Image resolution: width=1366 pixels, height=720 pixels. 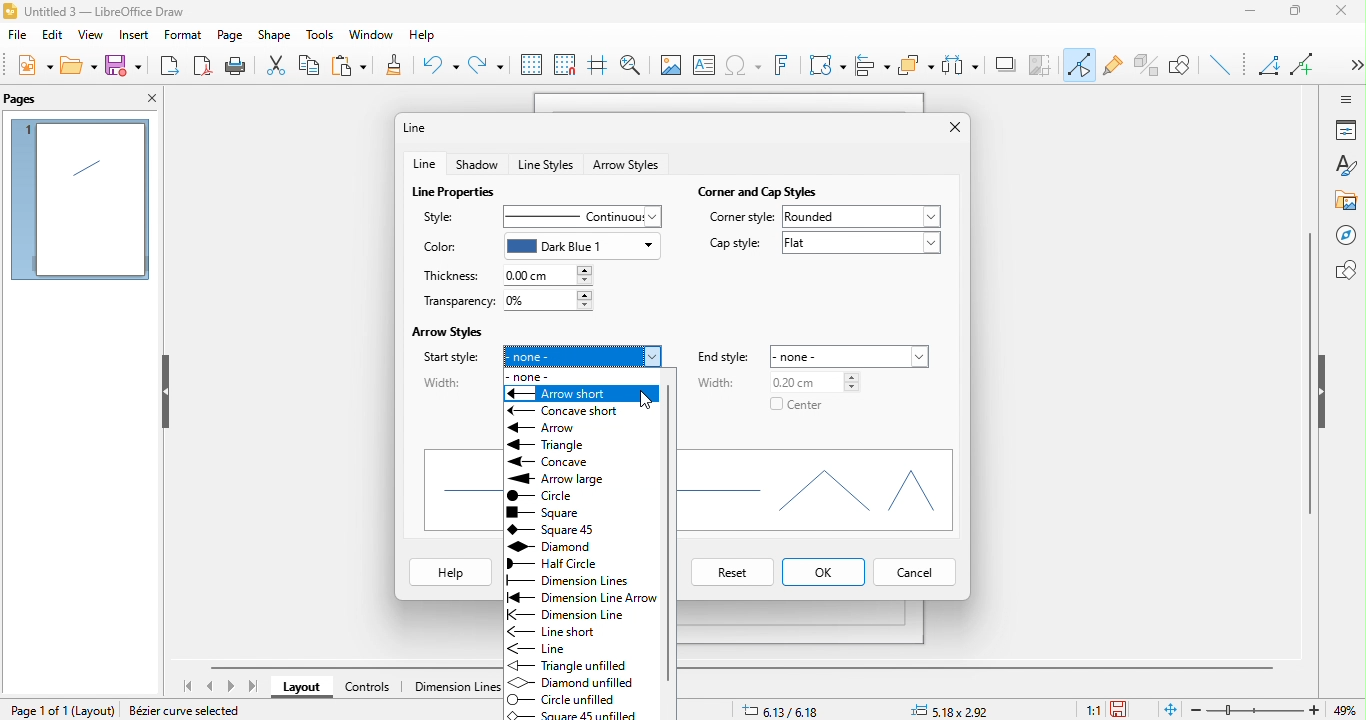 What do you see at coordinates (21, 38) in the screenshot?
I see `file` at bounding box center [21, 38].